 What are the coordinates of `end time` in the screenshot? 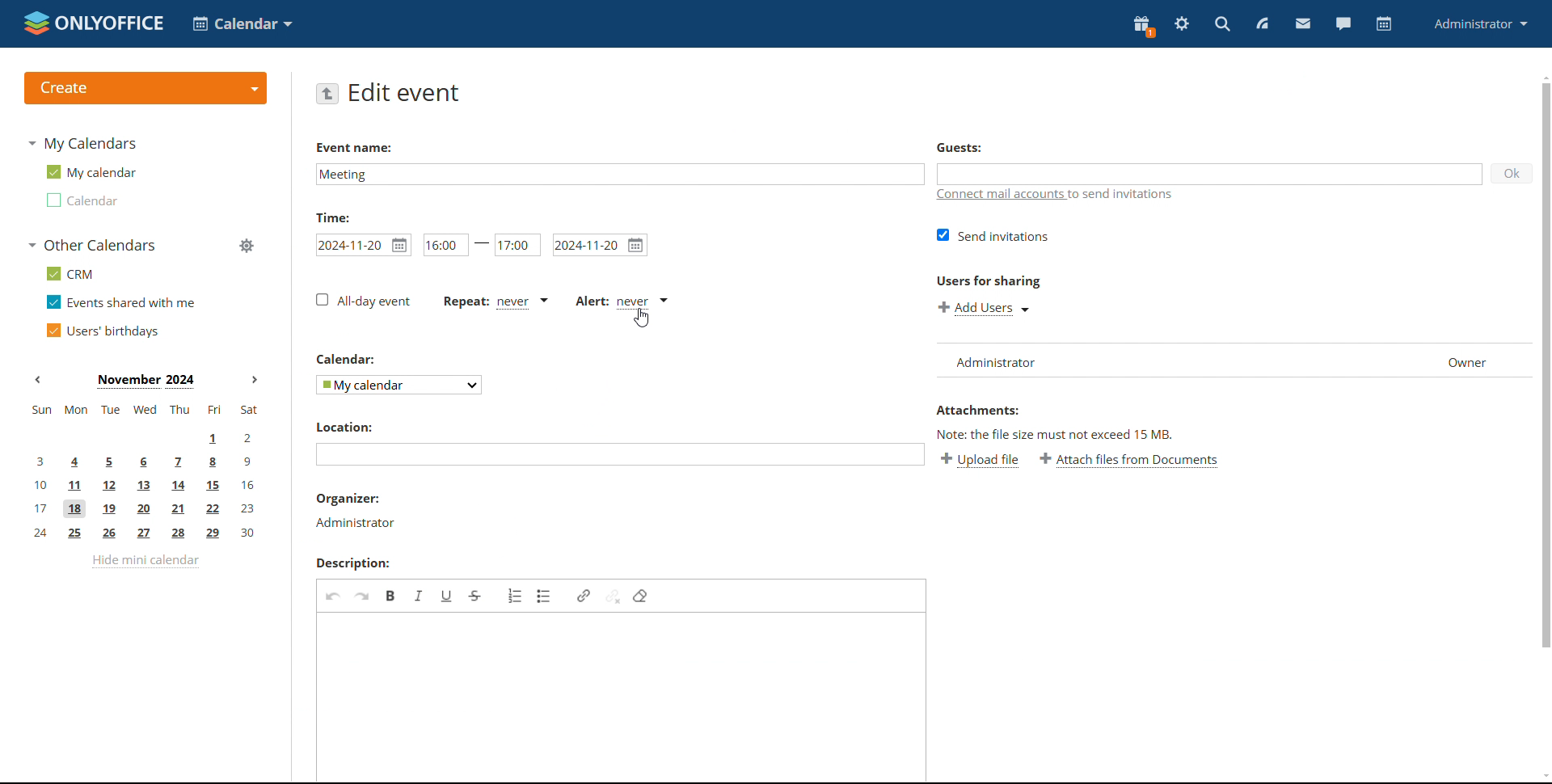 It's located at (517, 244).